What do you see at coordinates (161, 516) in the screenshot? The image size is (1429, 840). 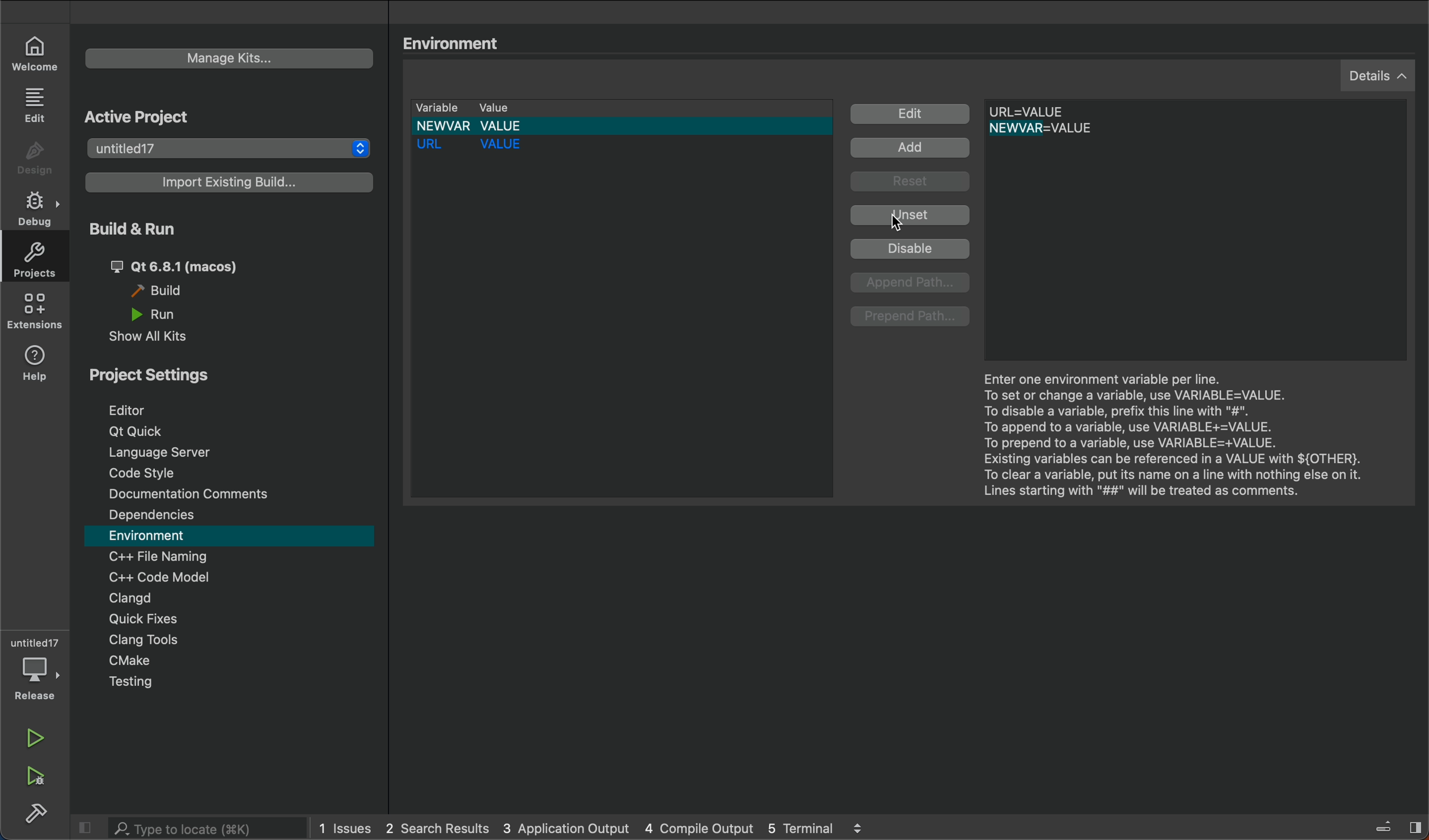 I see `dependencies` at bounding box center [161, 516].